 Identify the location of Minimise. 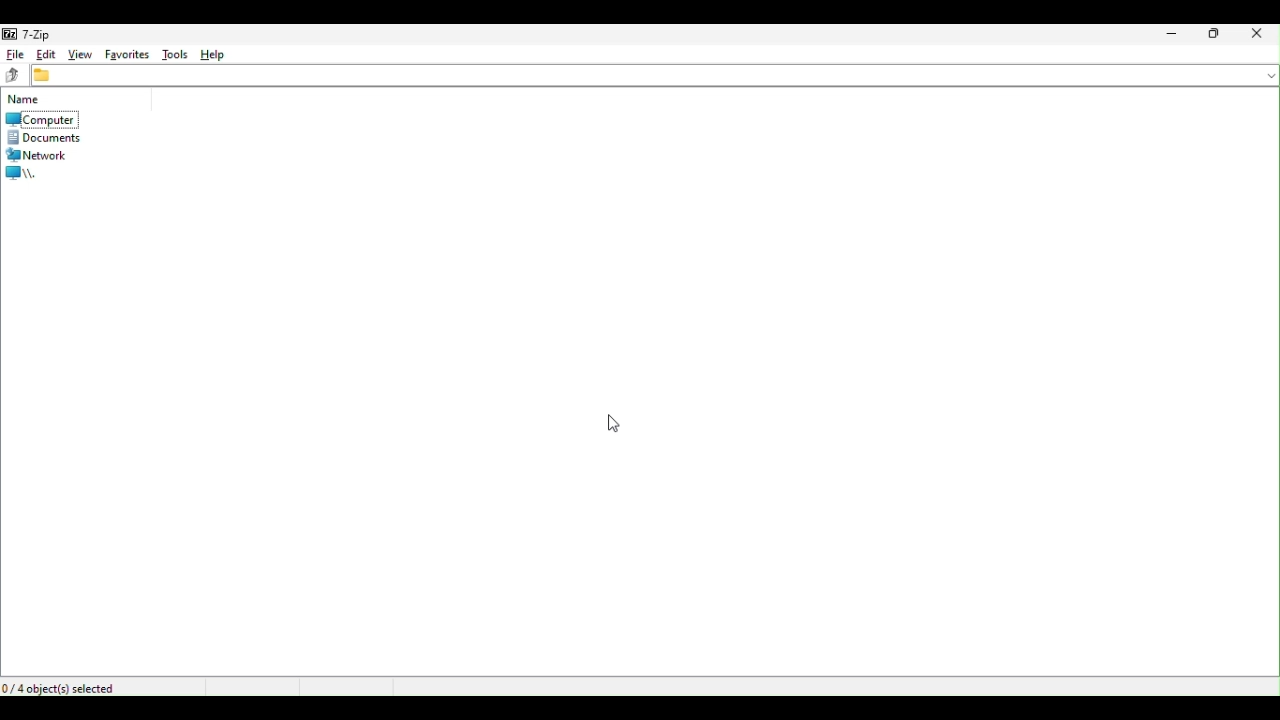
(1172, 35).